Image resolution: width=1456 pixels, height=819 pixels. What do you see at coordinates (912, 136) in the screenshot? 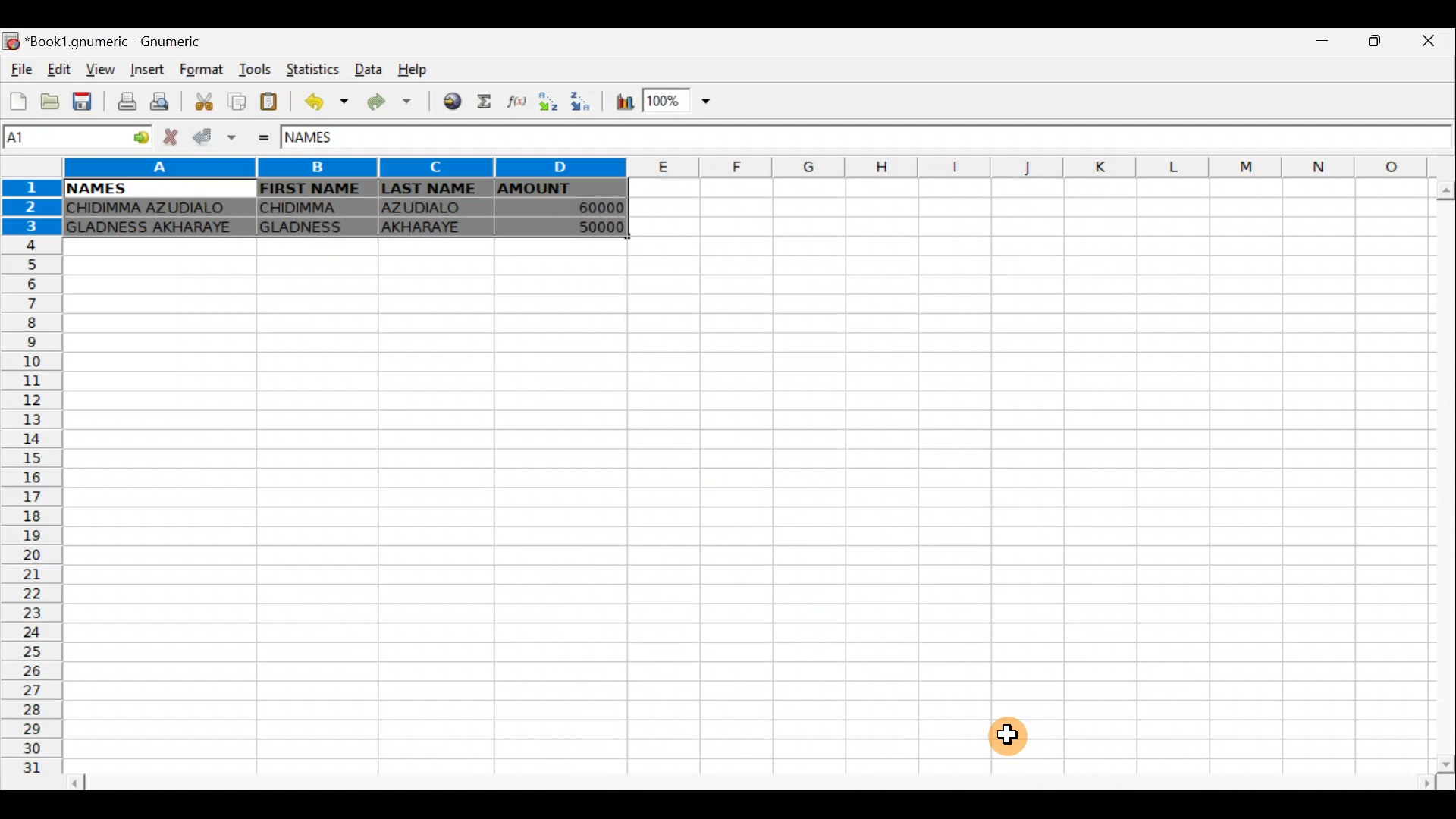
I see `Formula bar` at bounding box center [912, 136].